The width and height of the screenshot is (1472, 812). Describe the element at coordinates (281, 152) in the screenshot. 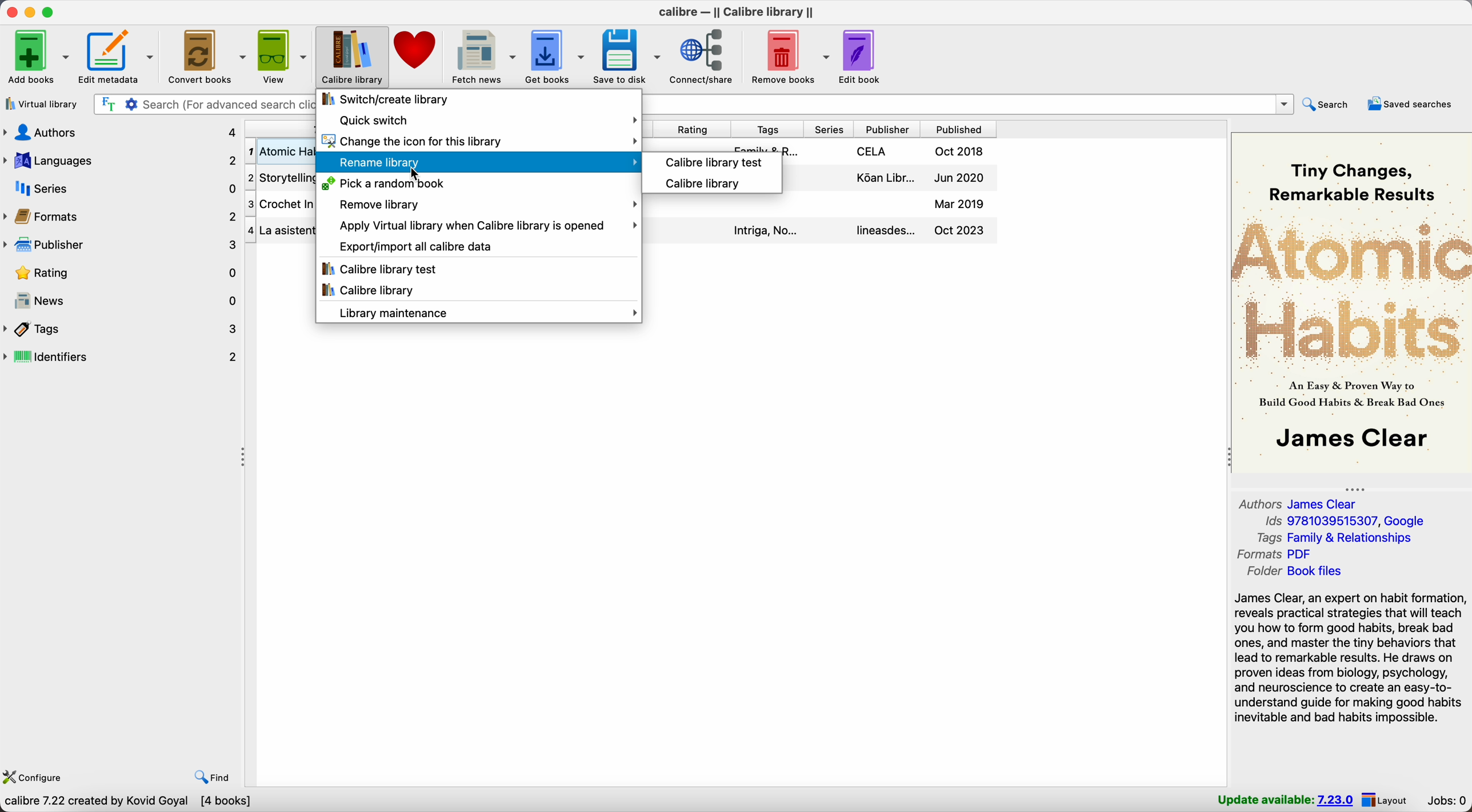

I see `Atomic Habitis: Tiny Changes... book` at that location.